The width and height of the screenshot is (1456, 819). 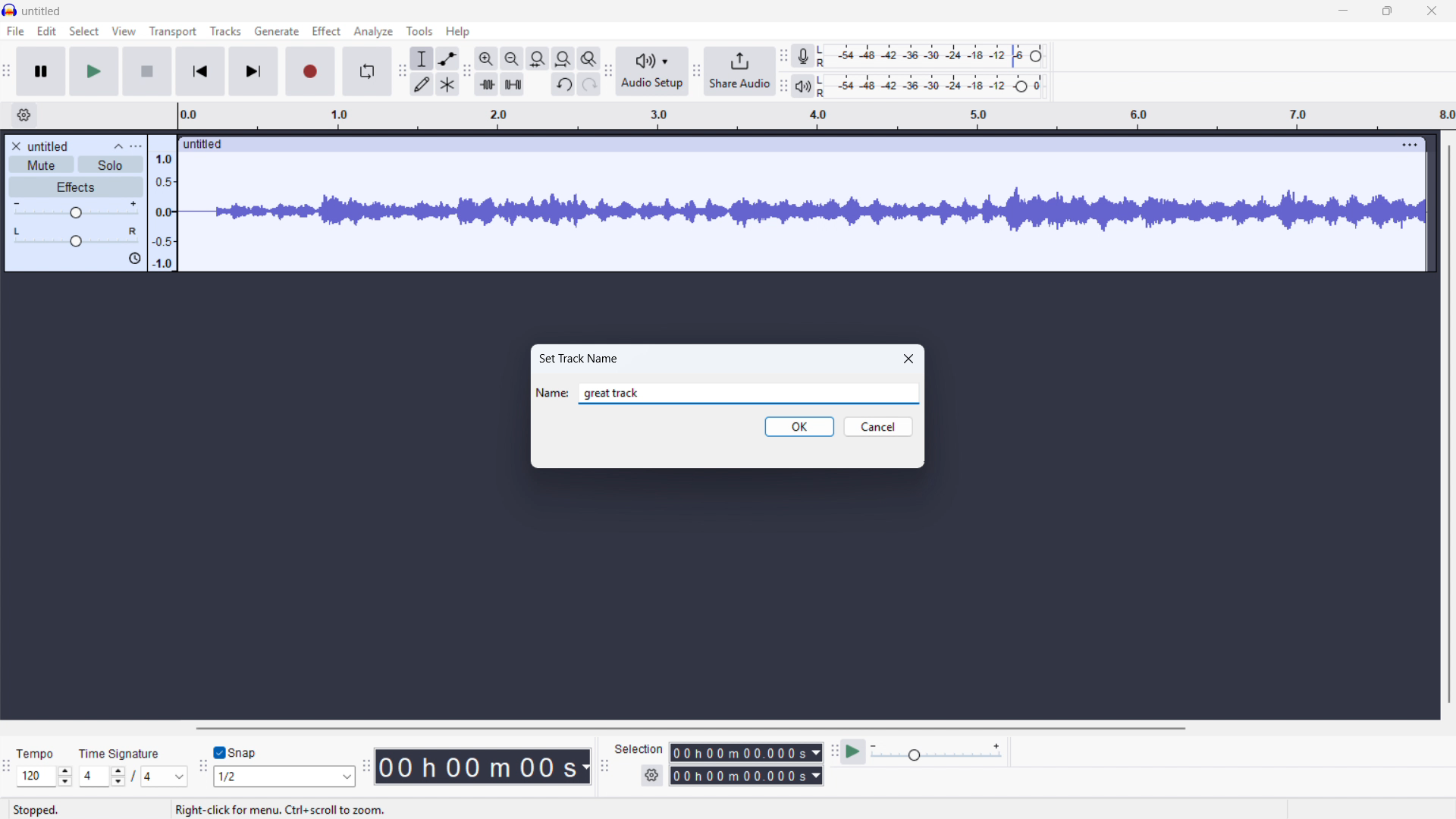 What do you see at coordinates (124, 31) in the screenshot?
I see `view ` at bounding box center [124, 31].